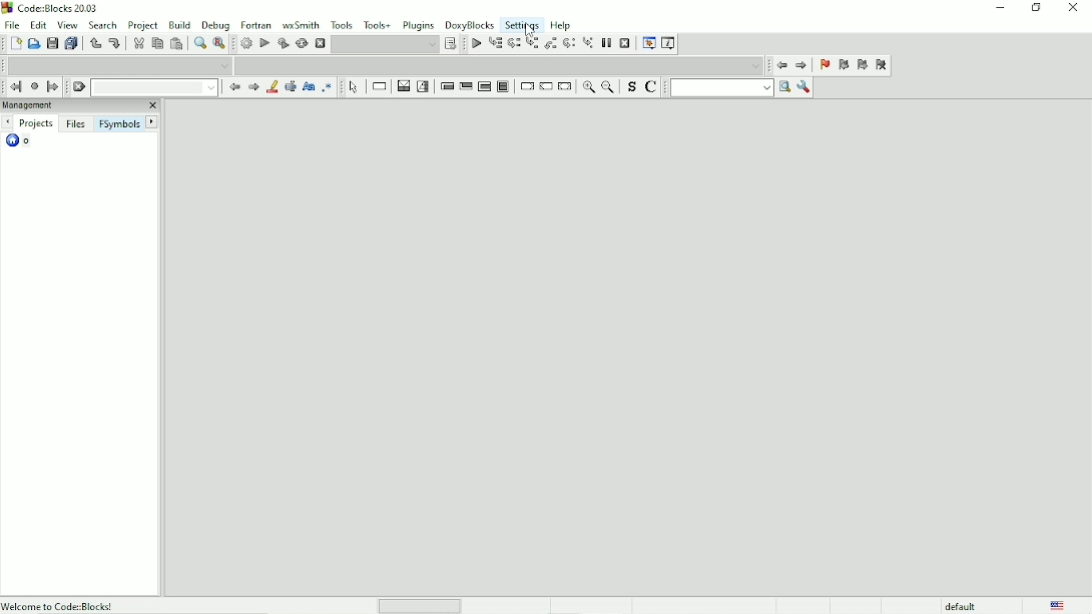  I want to click on Zoom out, so click(609, 88).